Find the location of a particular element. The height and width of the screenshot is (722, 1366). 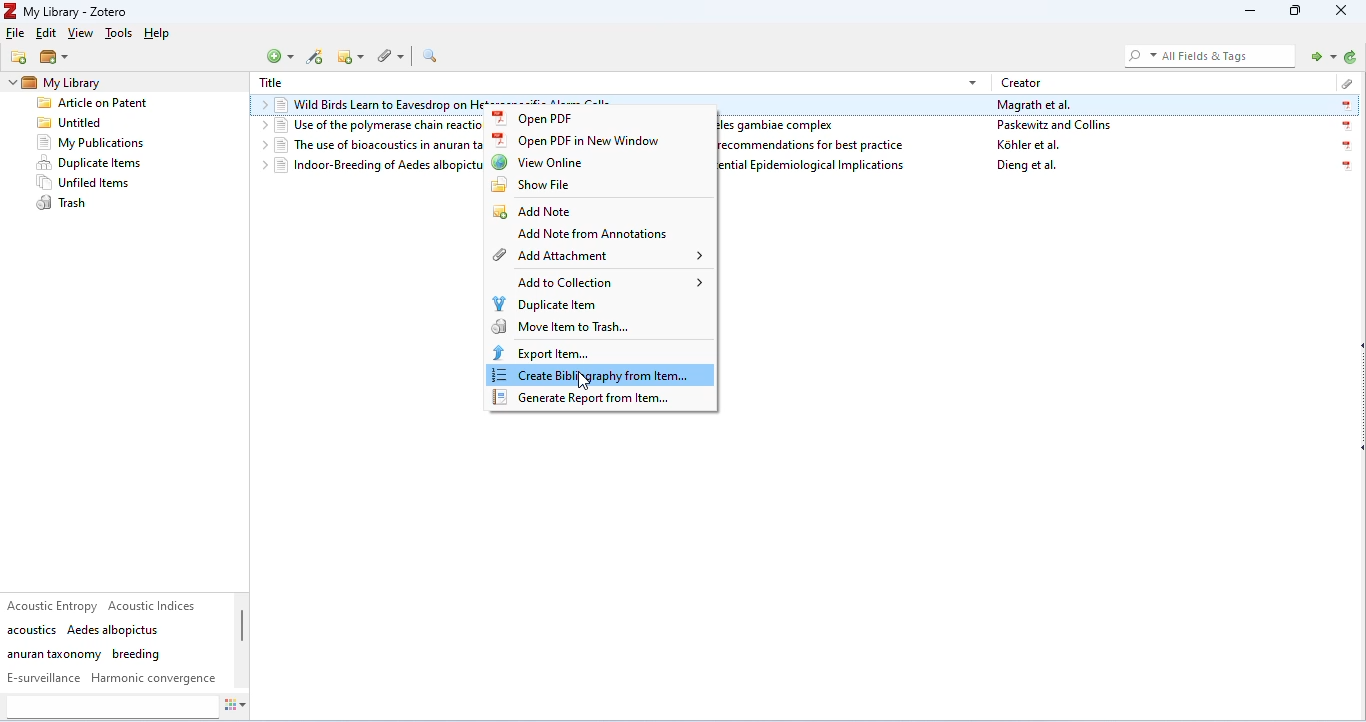

my publications is located at coordinates (92, 143).